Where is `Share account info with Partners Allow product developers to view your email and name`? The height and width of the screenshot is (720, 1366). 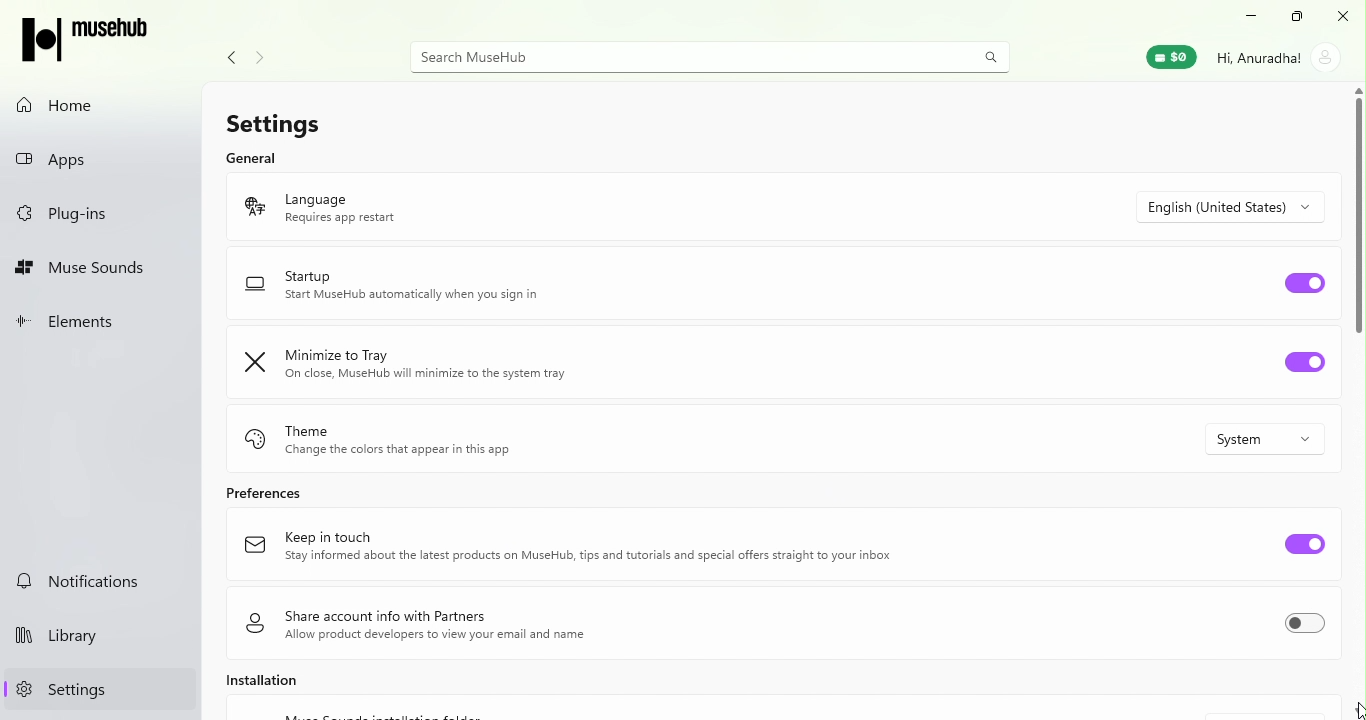 Share account info with Partners Allow product developers to view your email and name is located at coordinates (518, 625).